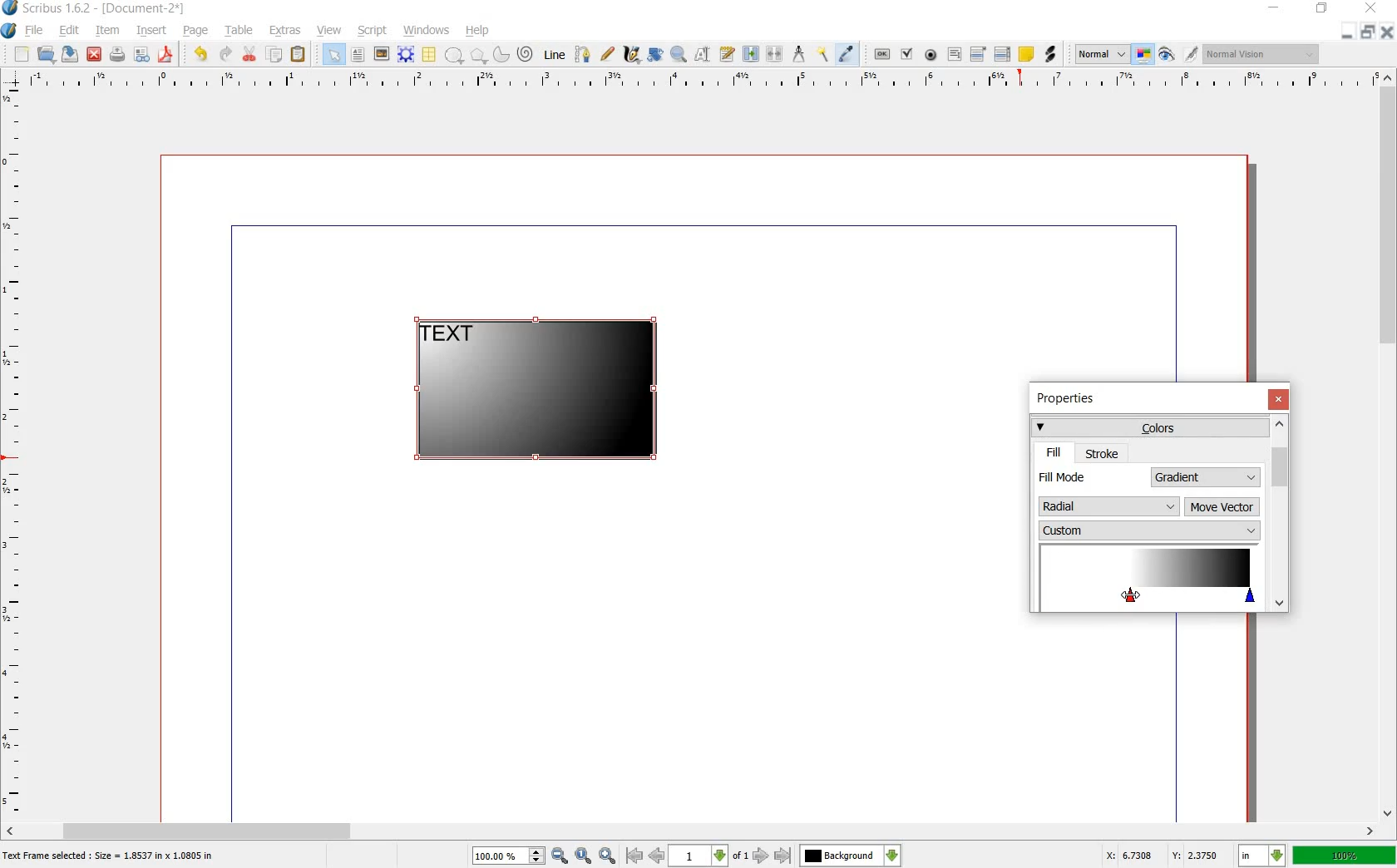  Describe the element at coordinates (225, 55) in the screenshot. I see `redo` at that location.